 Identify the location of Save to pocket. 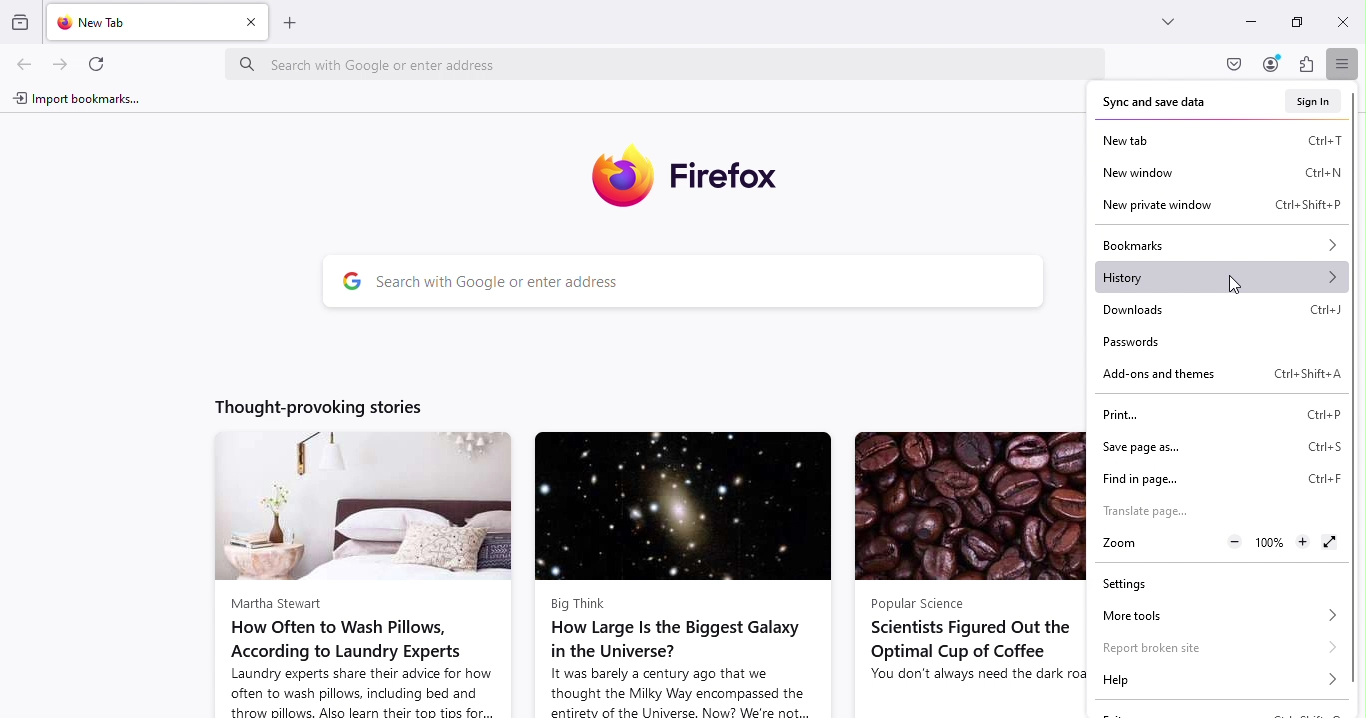
(1232, 64).